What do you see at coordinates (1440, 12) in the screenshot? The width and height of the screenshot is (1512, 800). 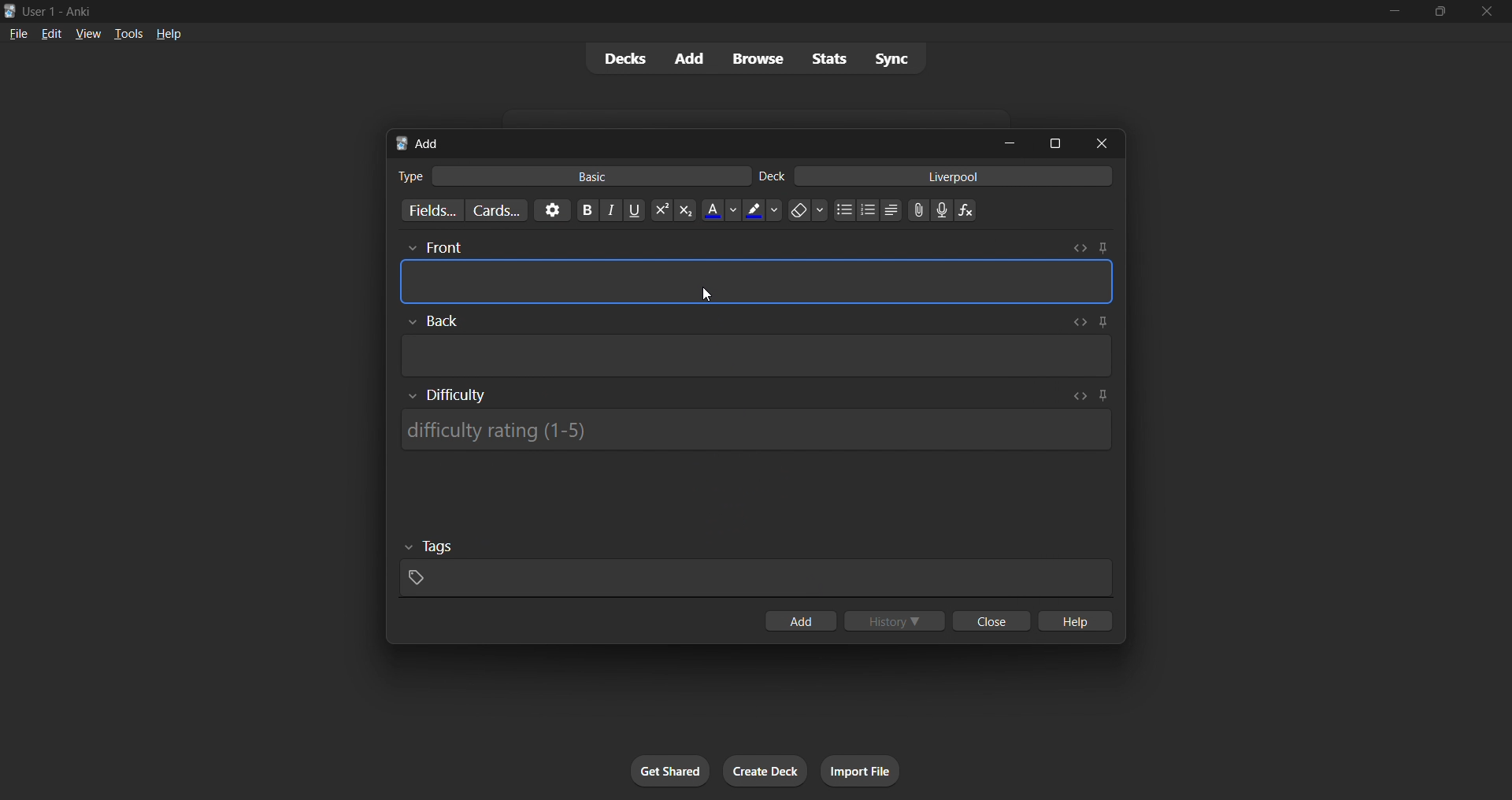 I see `maximize/restore` at bounding box center [1440, 12].